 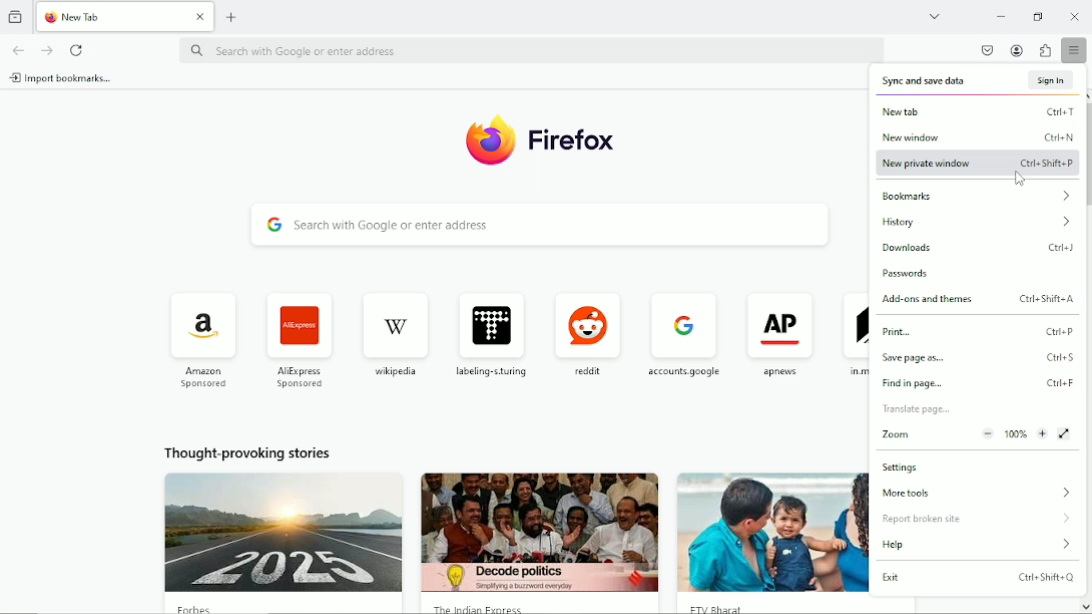 What do you see at coordinates (975, 545) in the screenshot?
I see `help` at bounding box center [975, 545].